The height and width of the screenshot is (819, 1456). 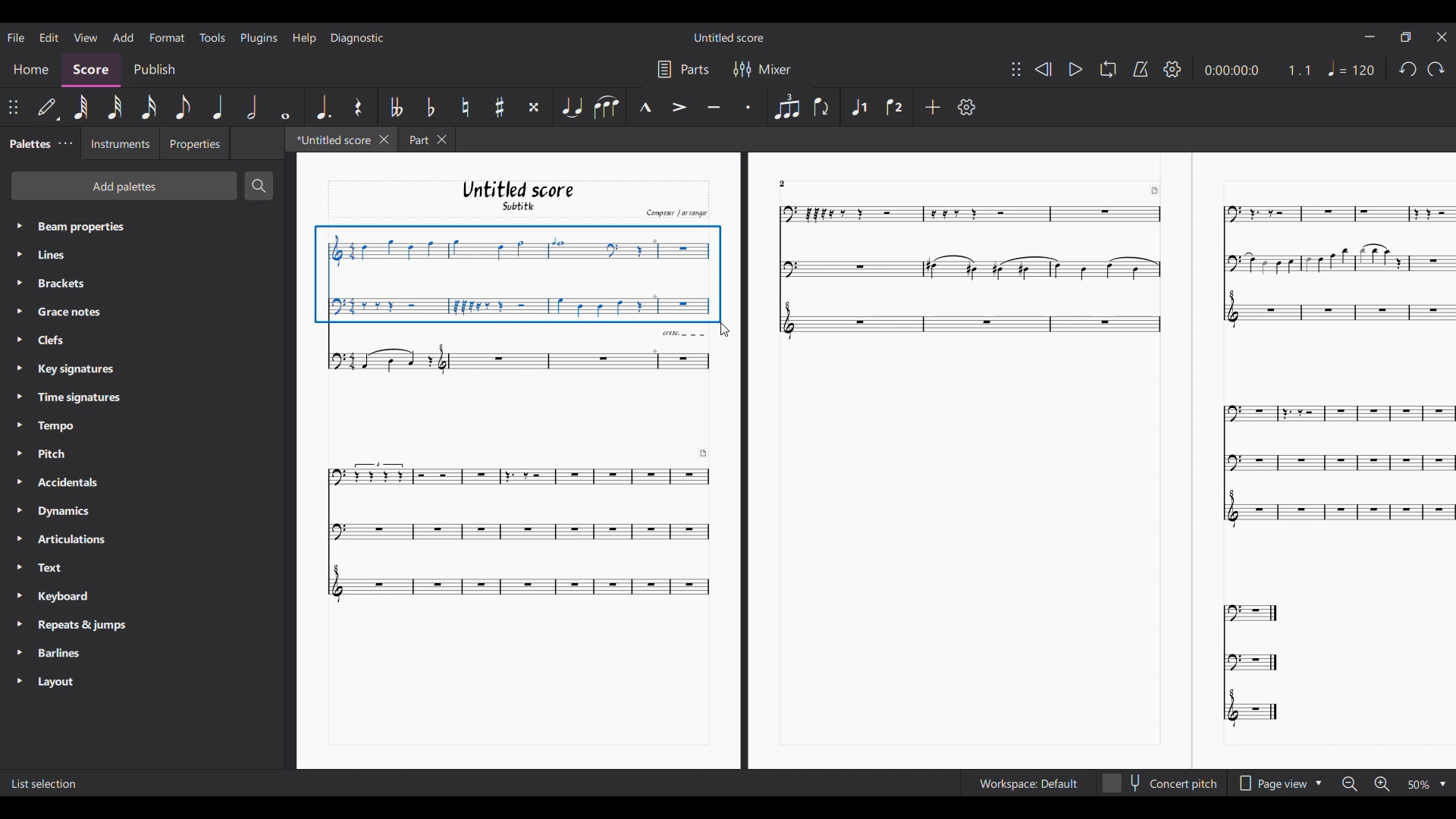 What do you see at coordinates (16, 598) in the screenshot?
I see `` at bounding box center [16, 598].